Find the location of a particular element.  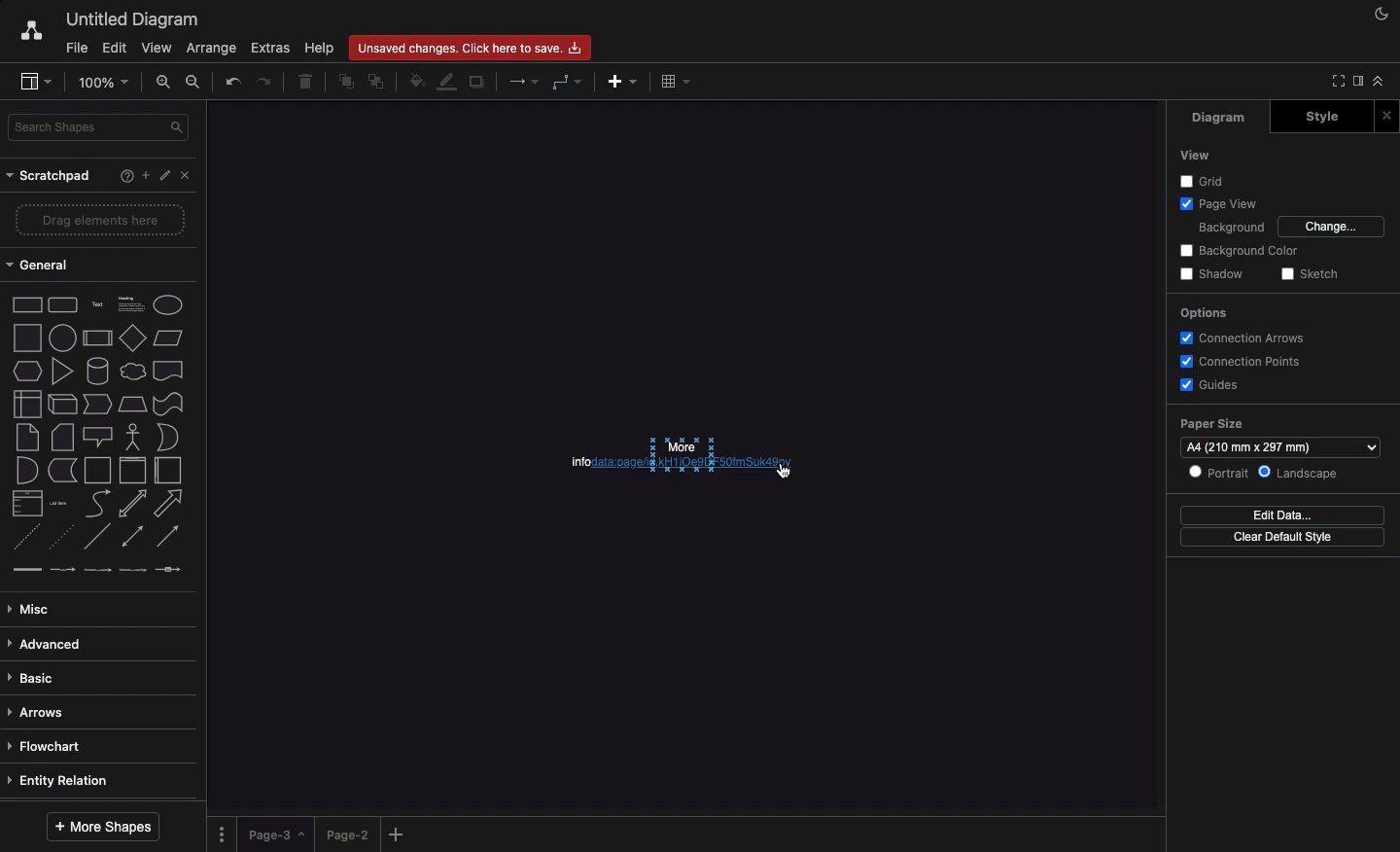

Page 3 is located at coordinates (274, 834).